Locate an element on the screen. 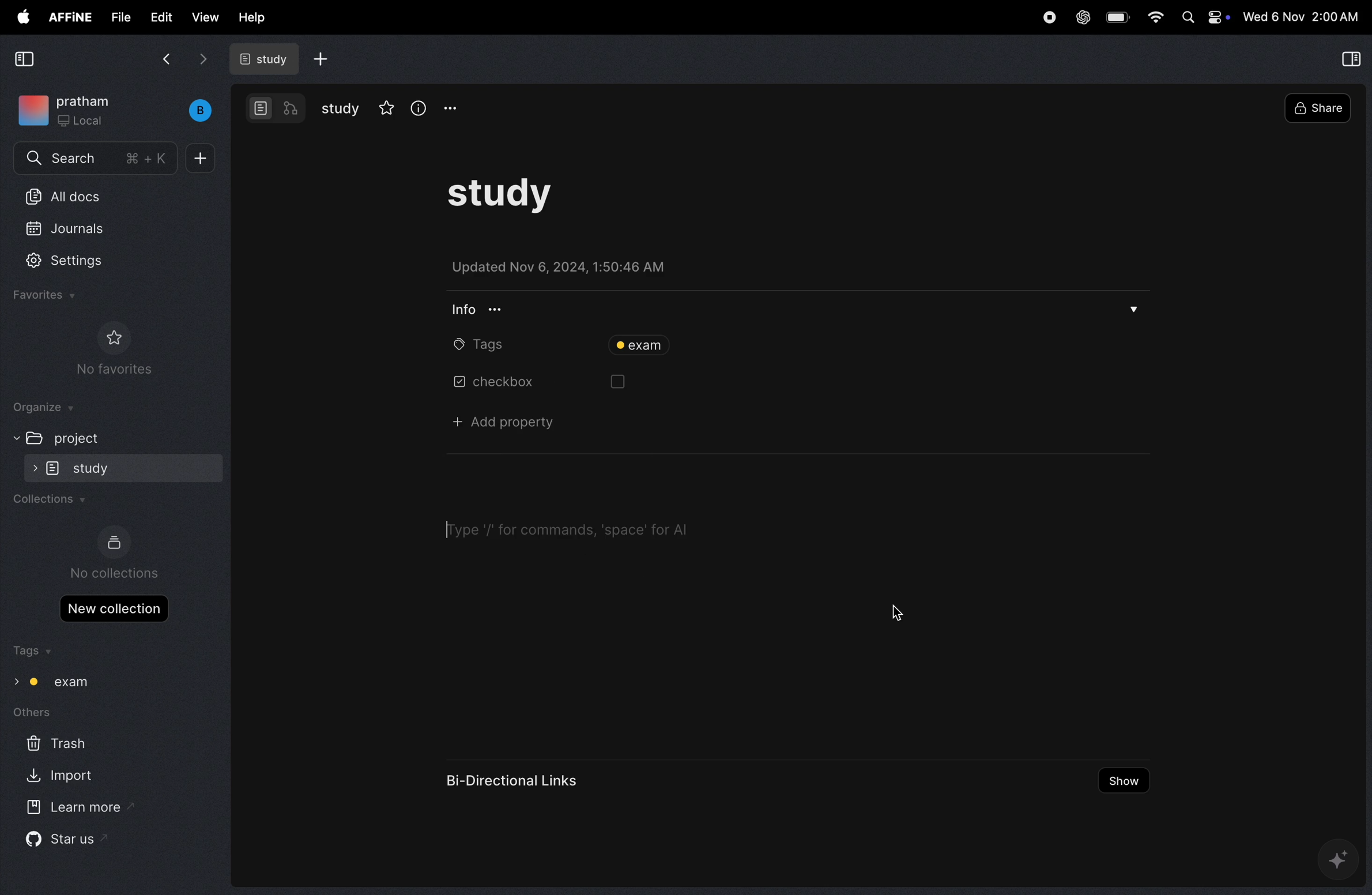 The width and height of the screenshot is (1372, 895). workspace is located at coordinates (79, 112).